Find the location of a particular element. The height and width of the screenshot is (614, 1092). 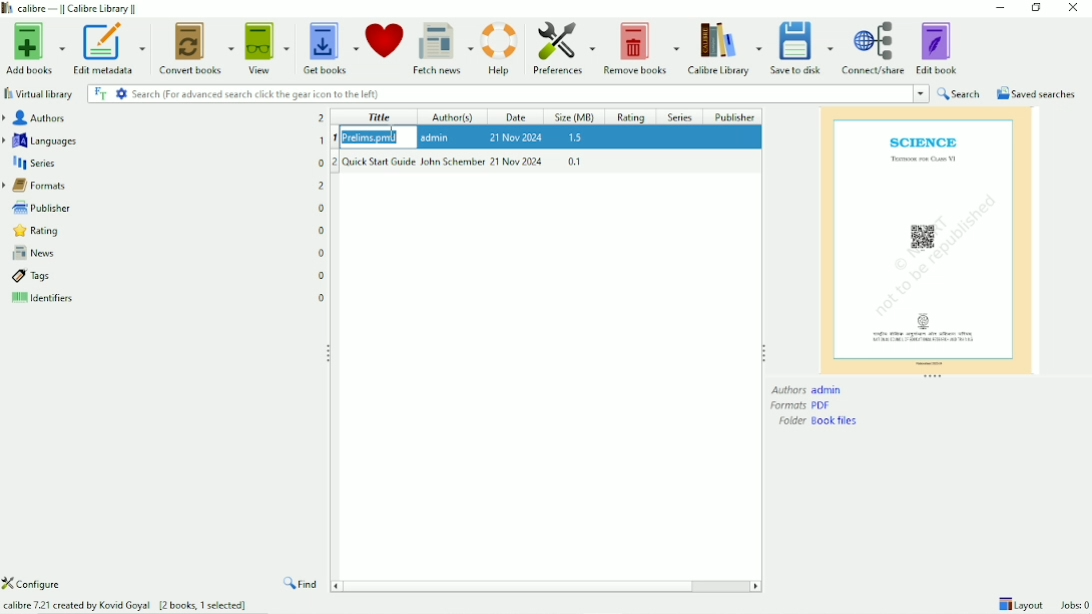

Series is located at coordinates (34, 164).